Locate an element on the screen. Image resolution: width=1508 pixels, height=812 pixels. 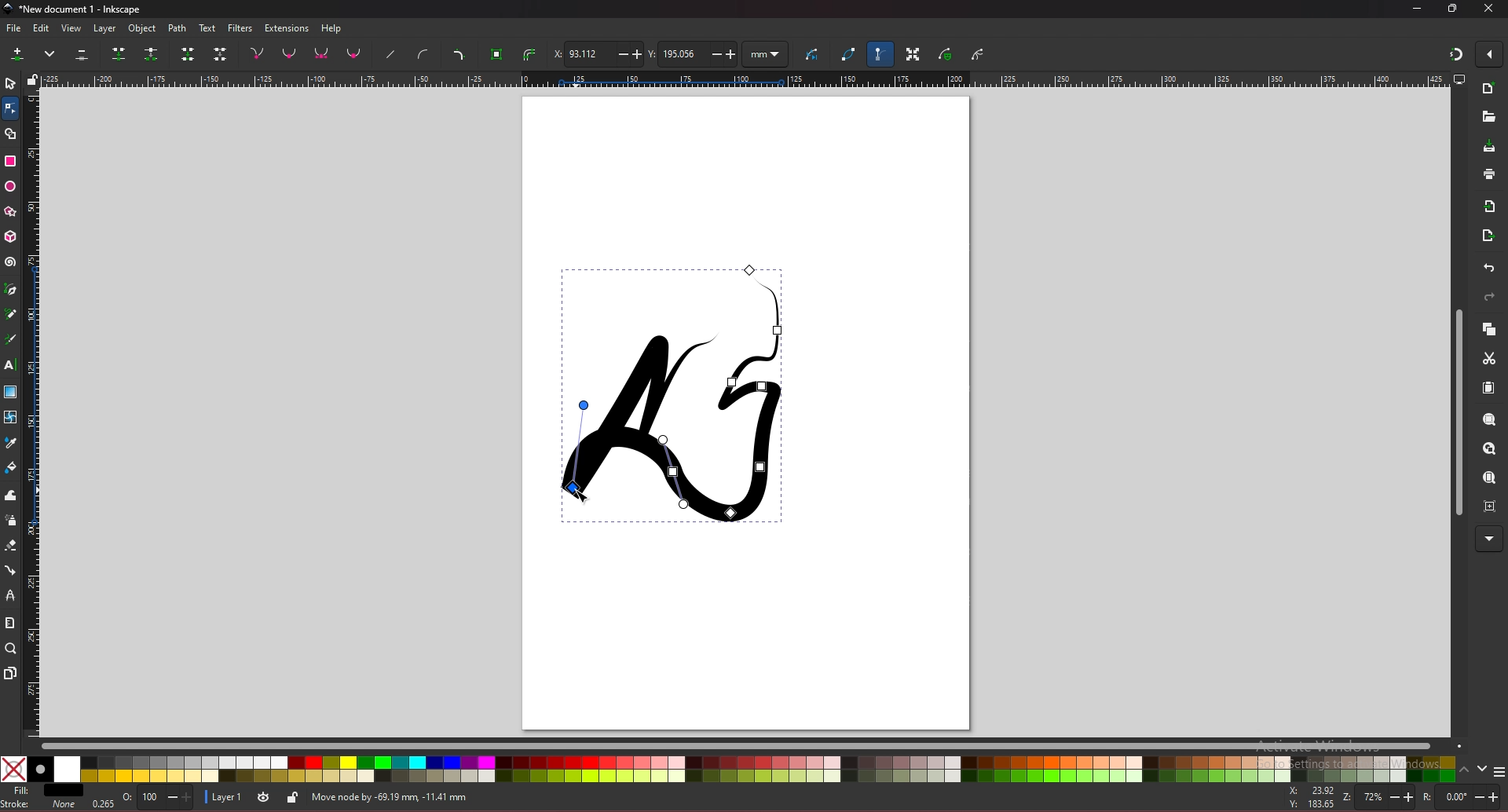
x and y coordinates is located at coordinates (1308, 797).